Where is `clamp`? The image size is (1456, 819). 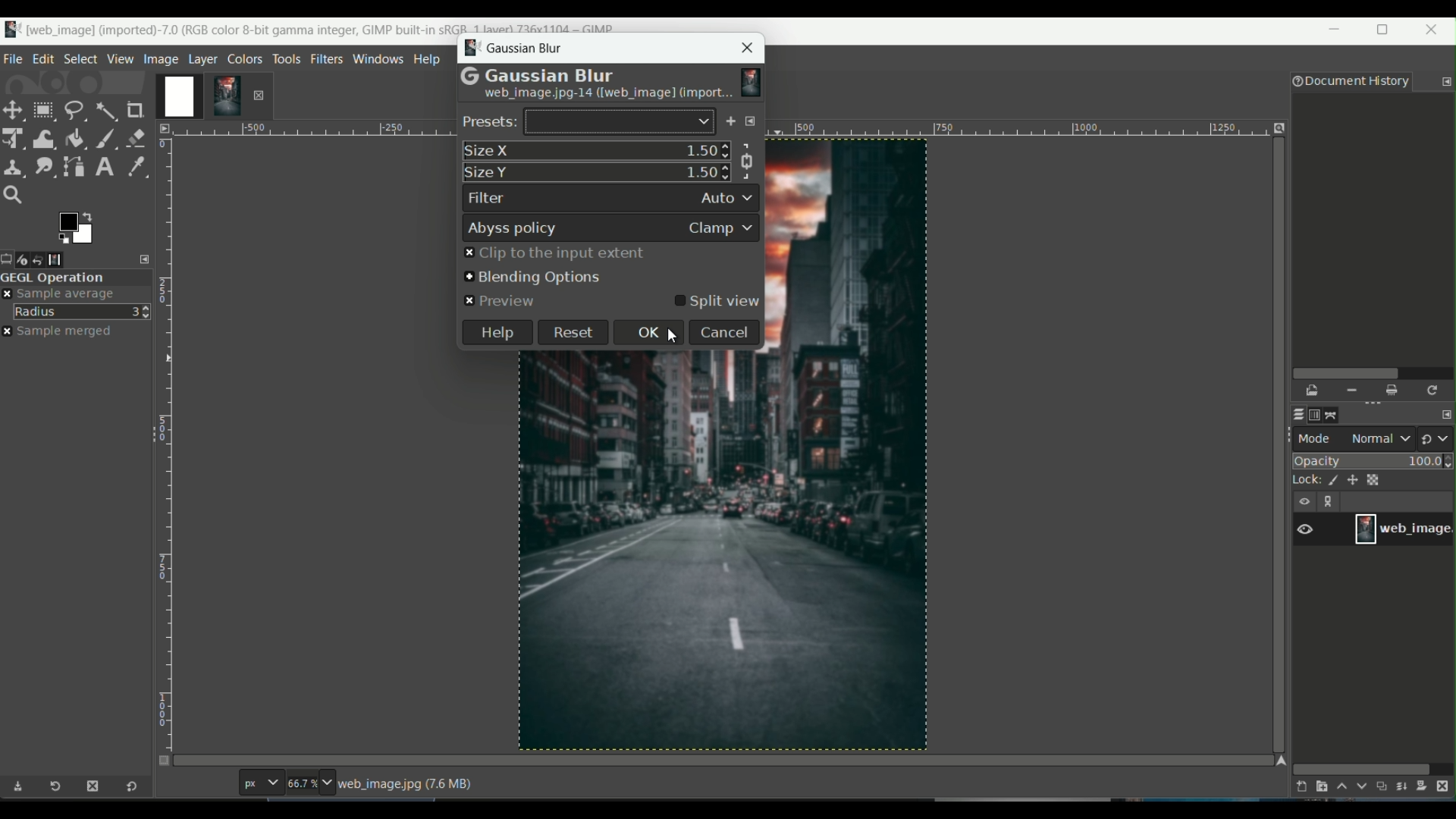 clamp is located at coordinates (723, 228).